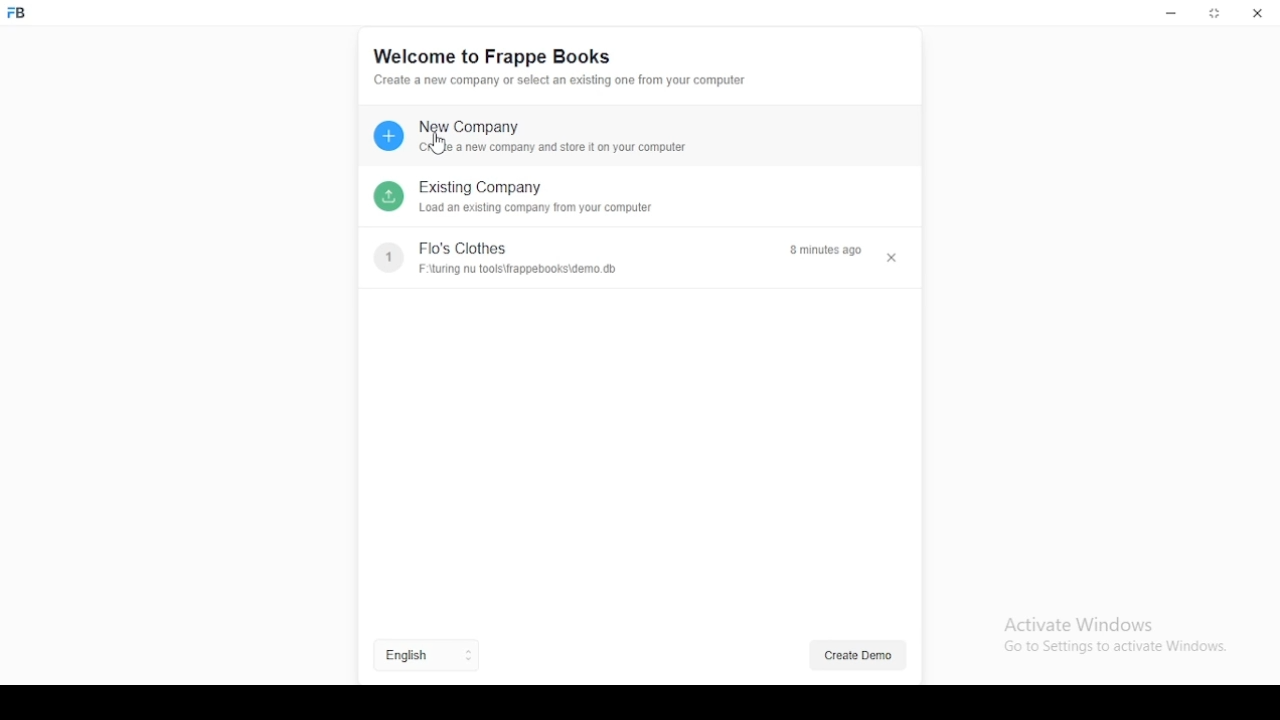 This screenshot has width=1280, height=720. What do you see at coordinates (562, 82) in the screenshot?
I see `create a new company or select an existing one from your computer` at bounding box center [562, 82].